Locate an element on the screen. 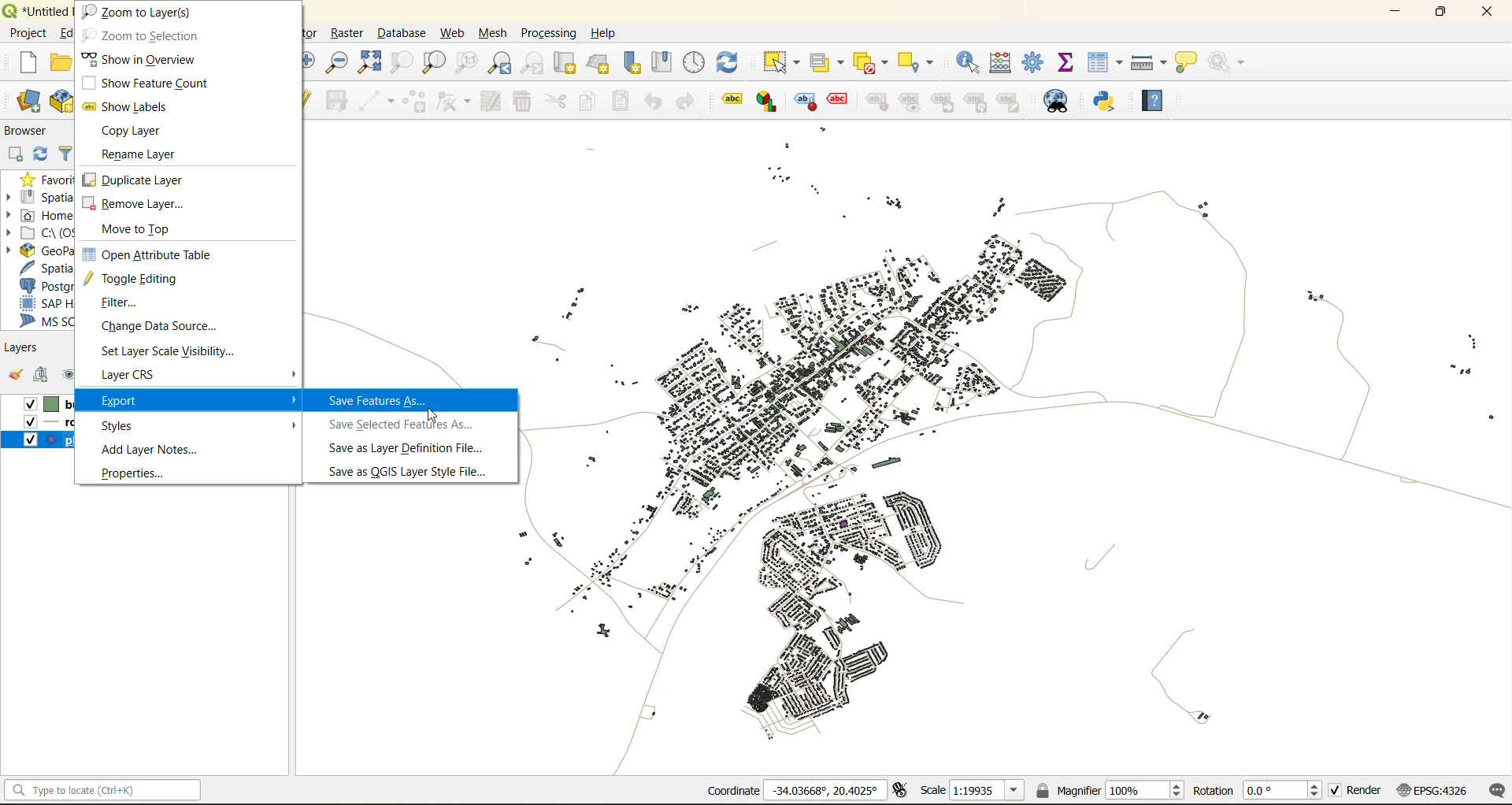 The image size is (1512, 805). rotation is located at coordinates (1258, 792).